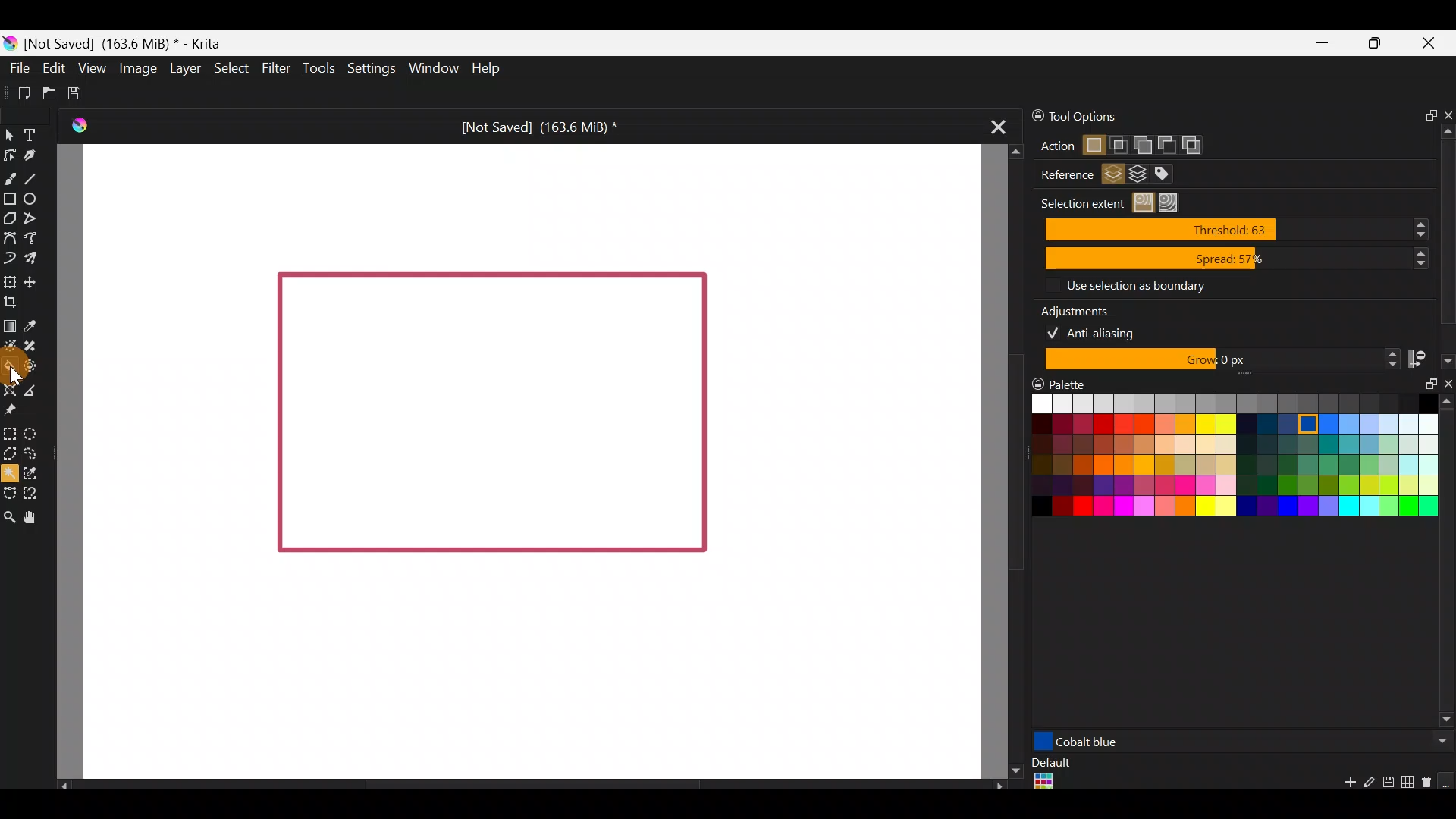 The width and height of the screenshot is (1456, 819). I want to click on Rectangle shape on Canvas, so click(491, 415).